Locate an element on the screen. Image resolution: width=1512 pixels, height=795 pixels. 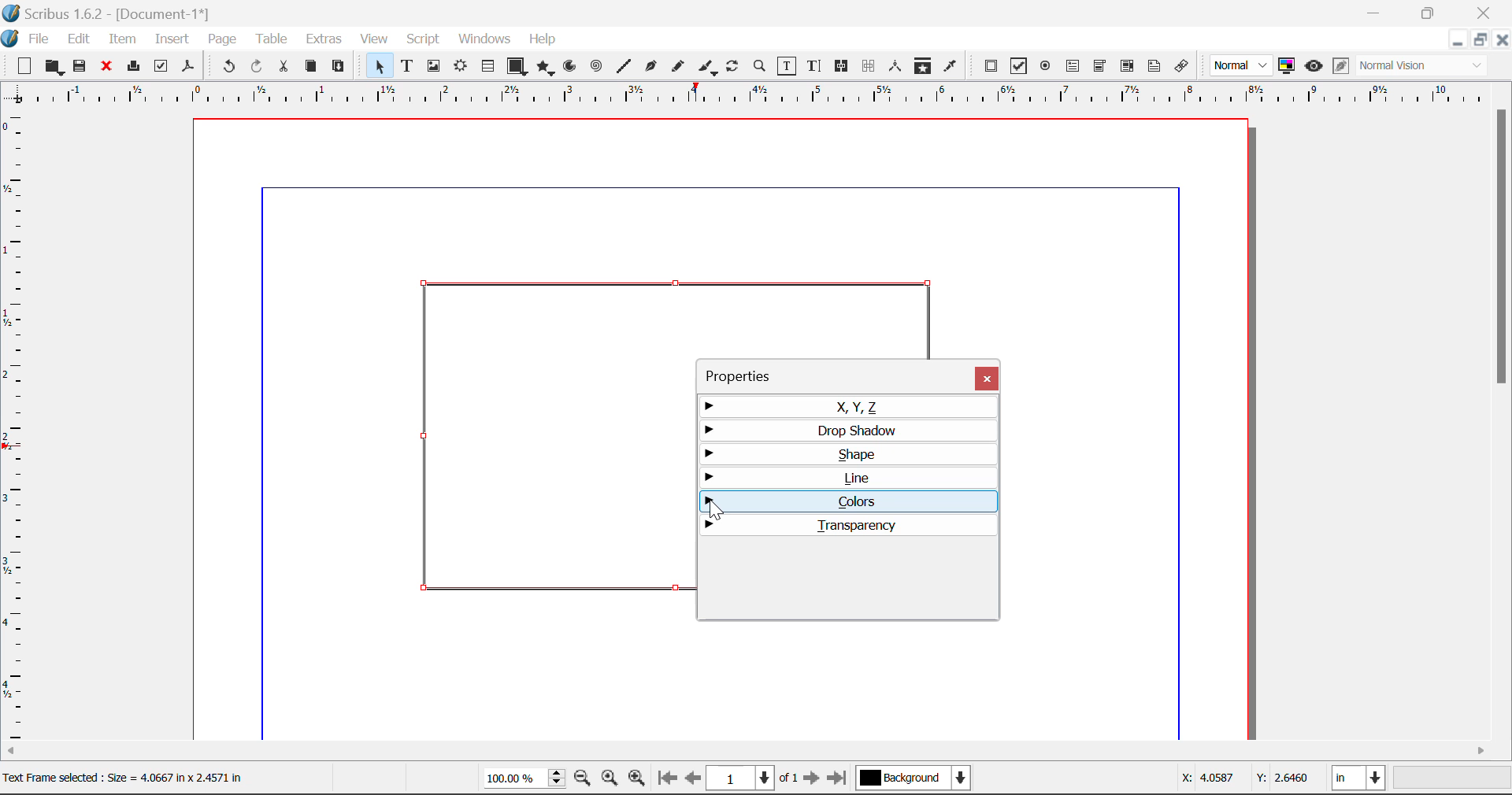
Zoom Out is located at coordinates (584, 780).